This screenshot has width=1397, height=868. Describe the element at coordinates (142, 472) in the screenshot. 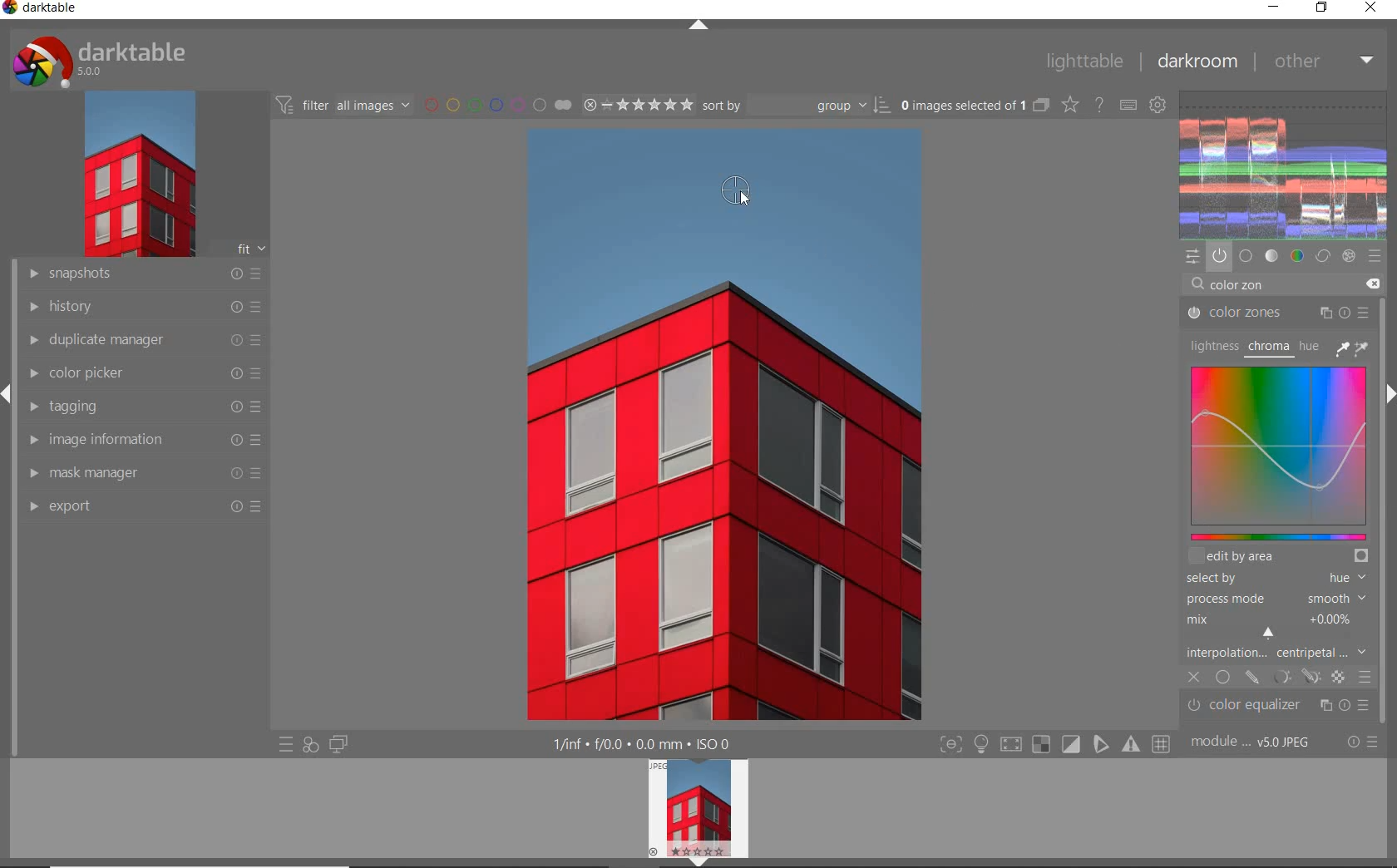

I see `mask manager` at that location.